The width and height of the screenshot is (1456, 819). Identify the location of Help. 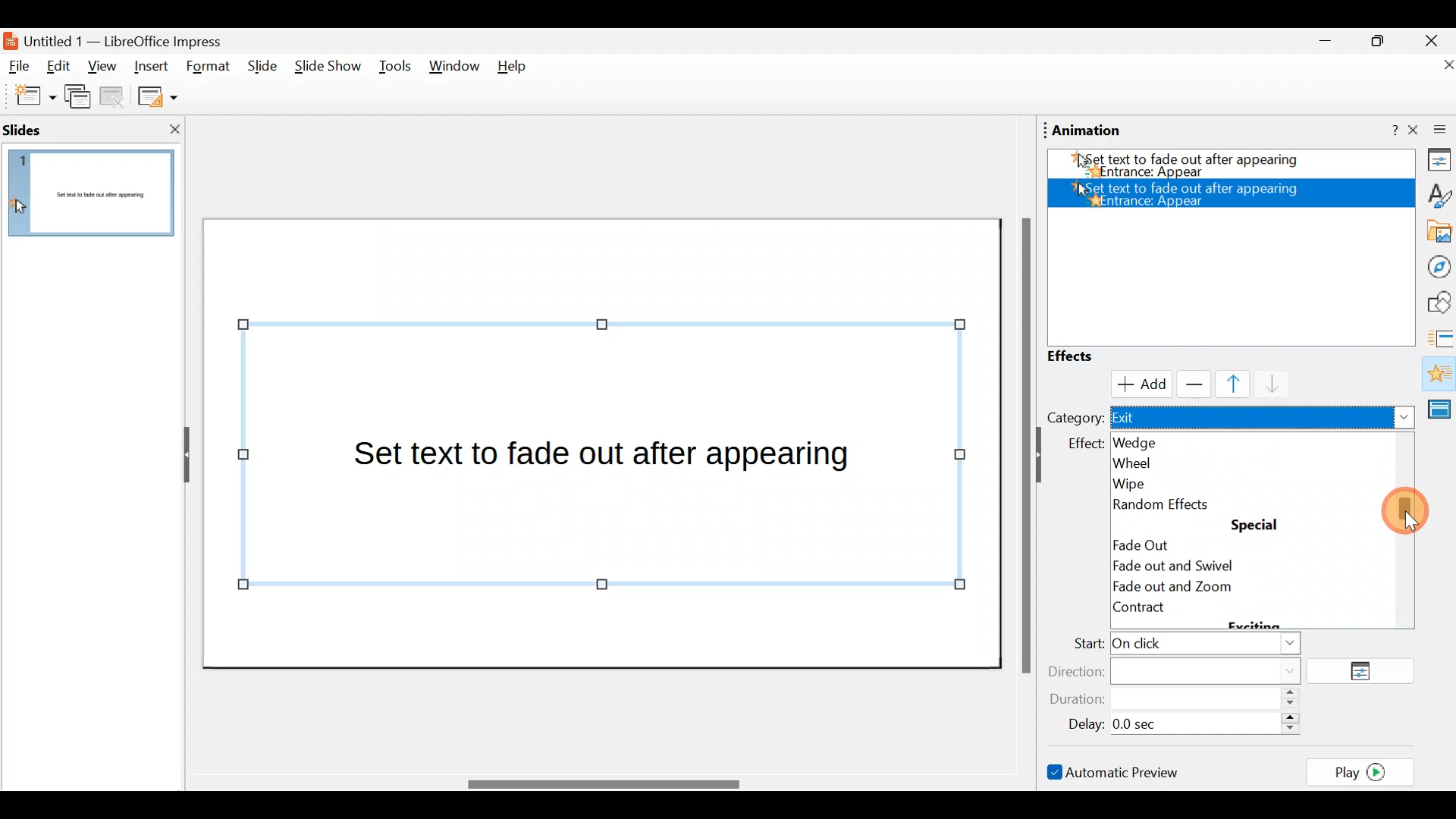
(518, 70).